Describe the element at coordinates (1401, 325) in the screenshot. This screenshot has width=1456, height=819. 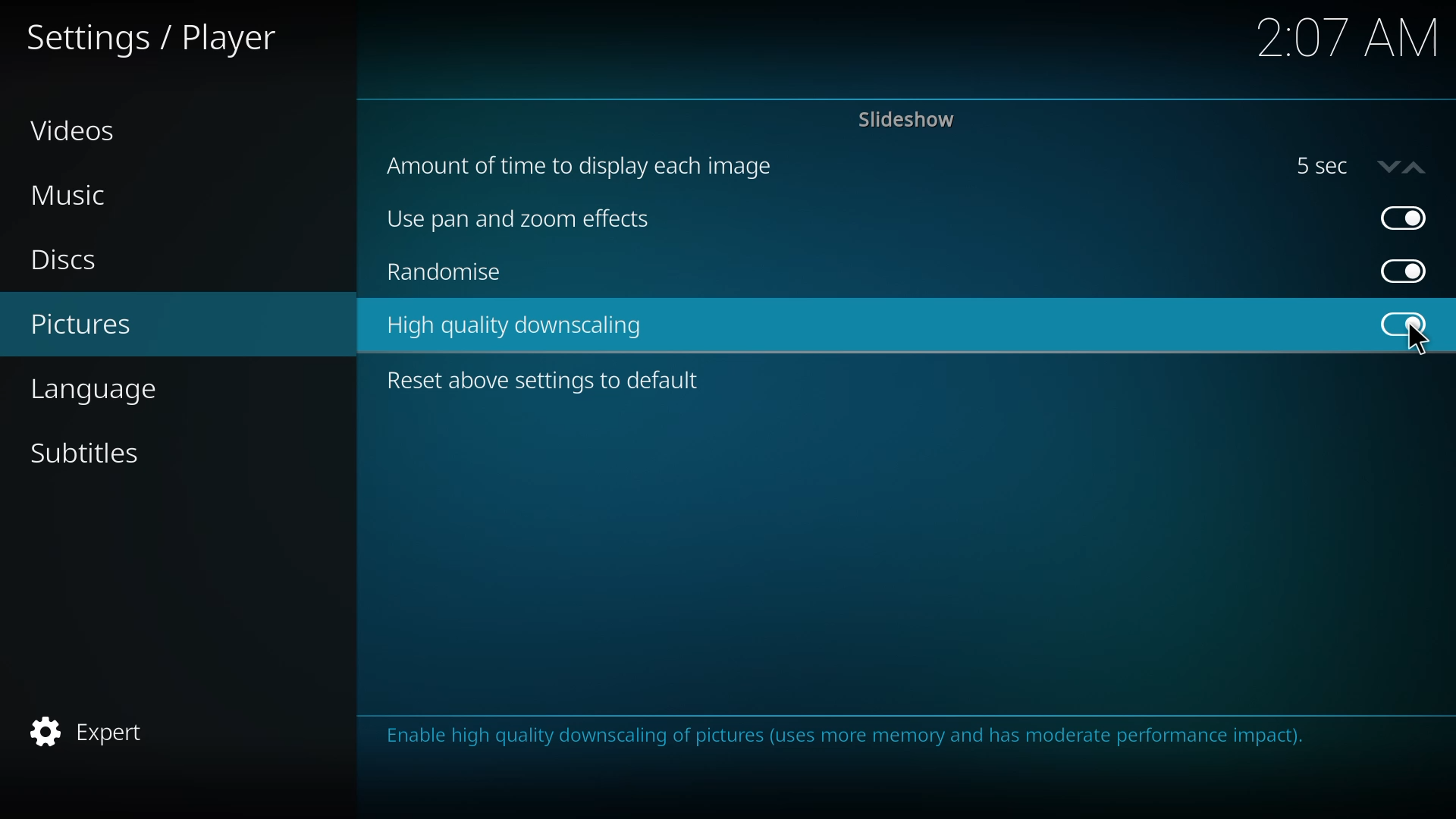
I see `enabled` at that location.